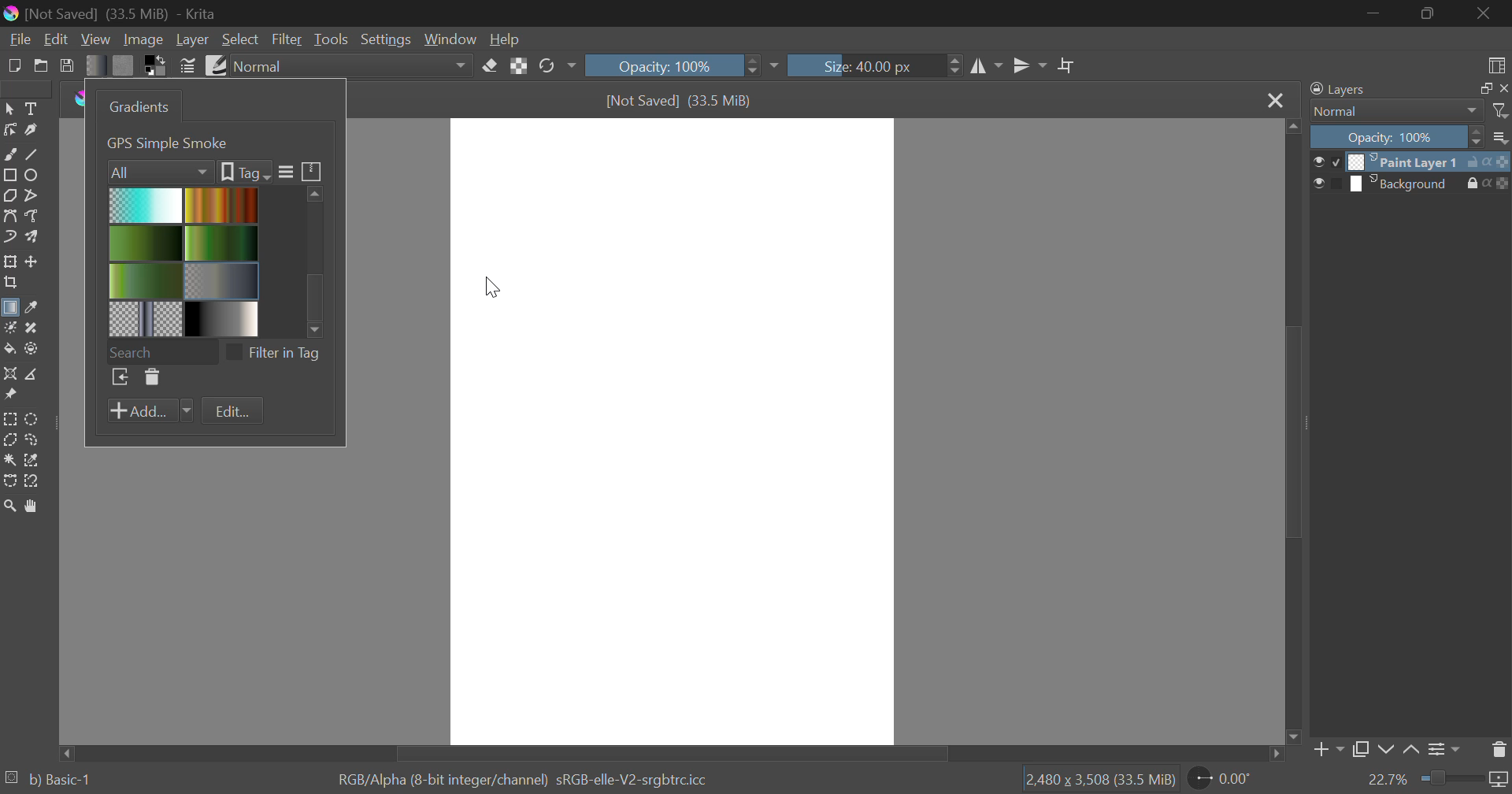 The width and height of the screenshot is (1512, 794). What do you see at coordinates (32, 375) in the screenshot?
I see `Measurement` at bounding box center [32, 375].